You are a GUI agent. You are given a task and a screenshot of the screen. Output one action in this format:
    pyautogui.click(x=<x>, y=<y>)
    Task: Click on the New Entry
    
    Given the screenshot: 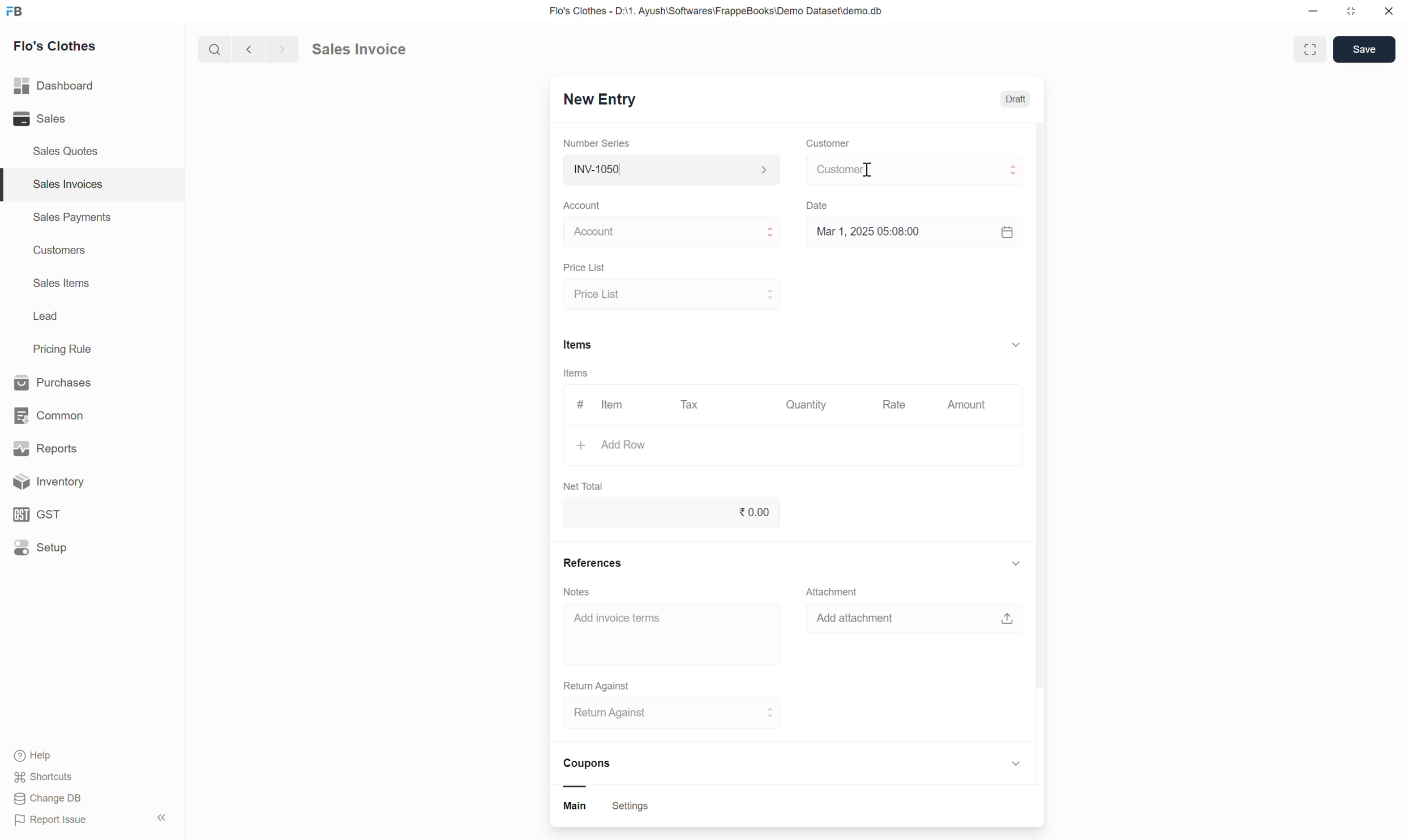 What is the action you would take?
    pyautogui.click(x=609, y=100)
    